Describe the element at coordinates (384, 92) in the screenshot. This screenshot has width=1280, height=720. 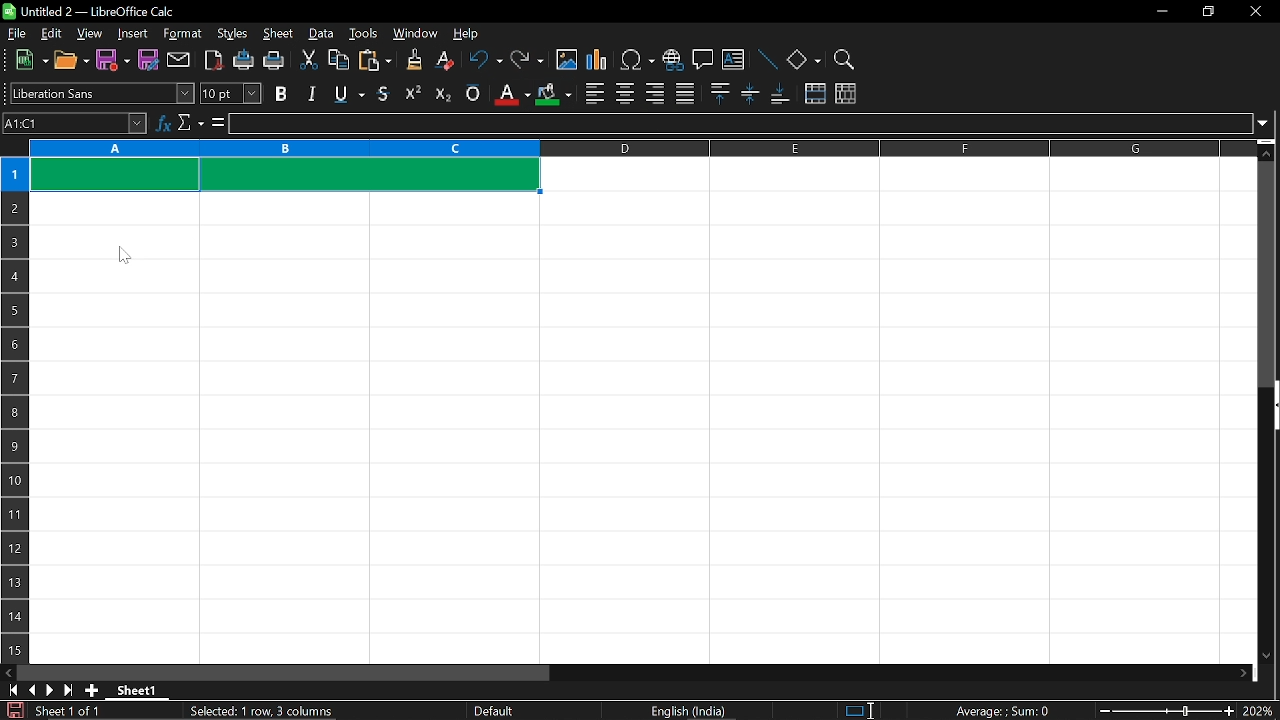
I see `strikethrough` at that location.